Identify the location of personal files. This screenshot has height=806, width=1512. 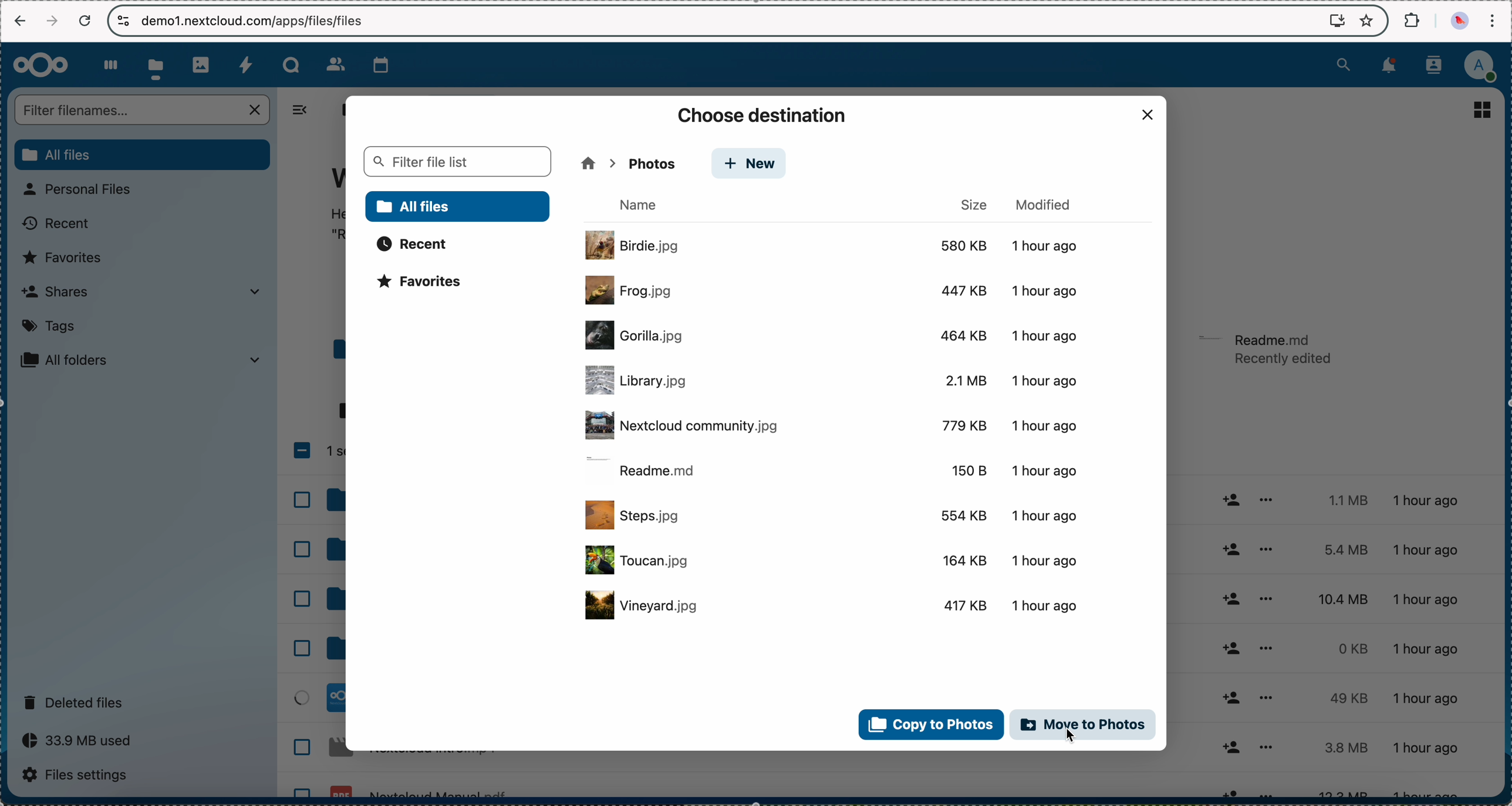
(84, 189).